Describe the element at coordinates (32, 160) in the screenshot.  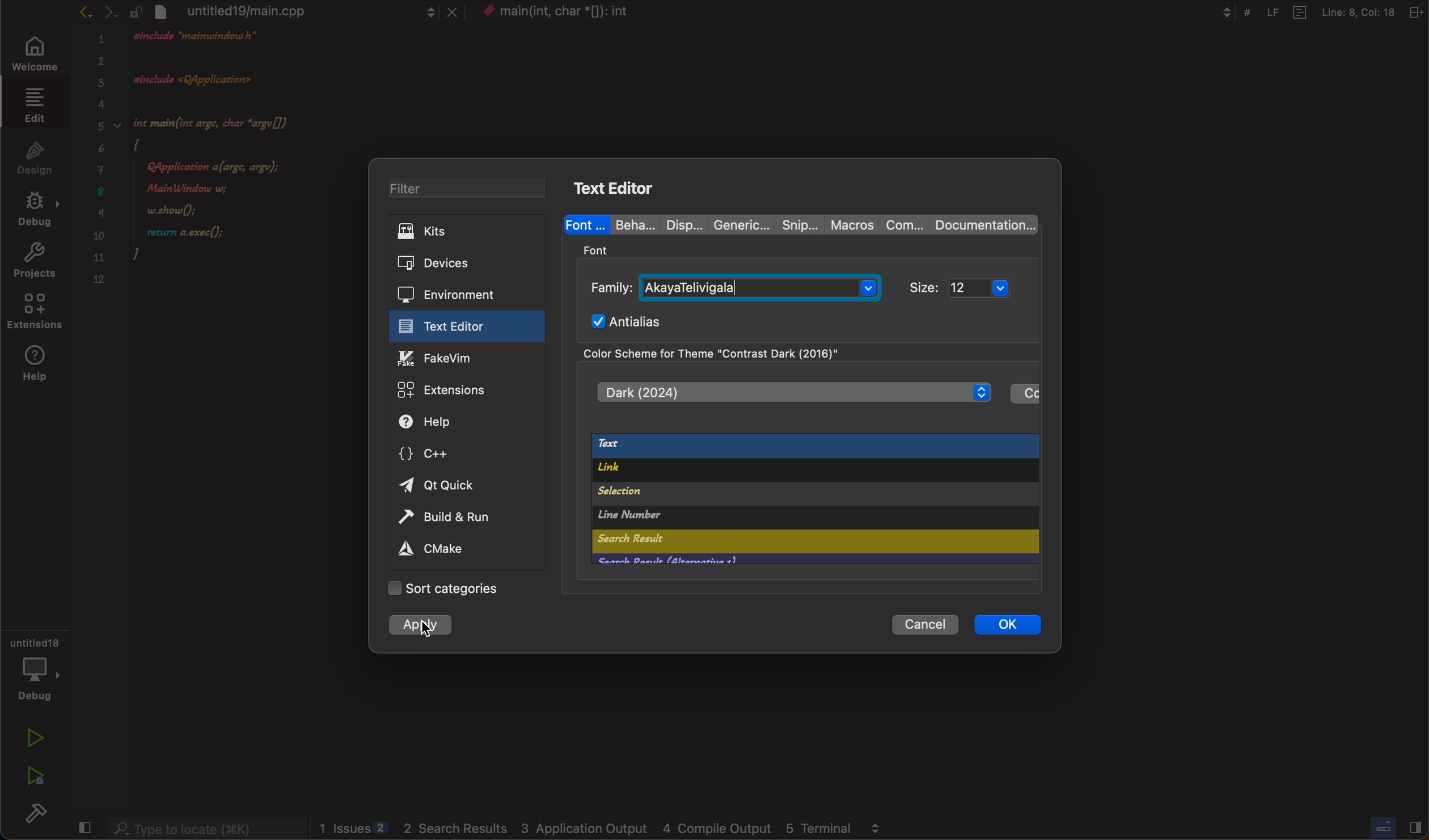
I see `design` at that location.